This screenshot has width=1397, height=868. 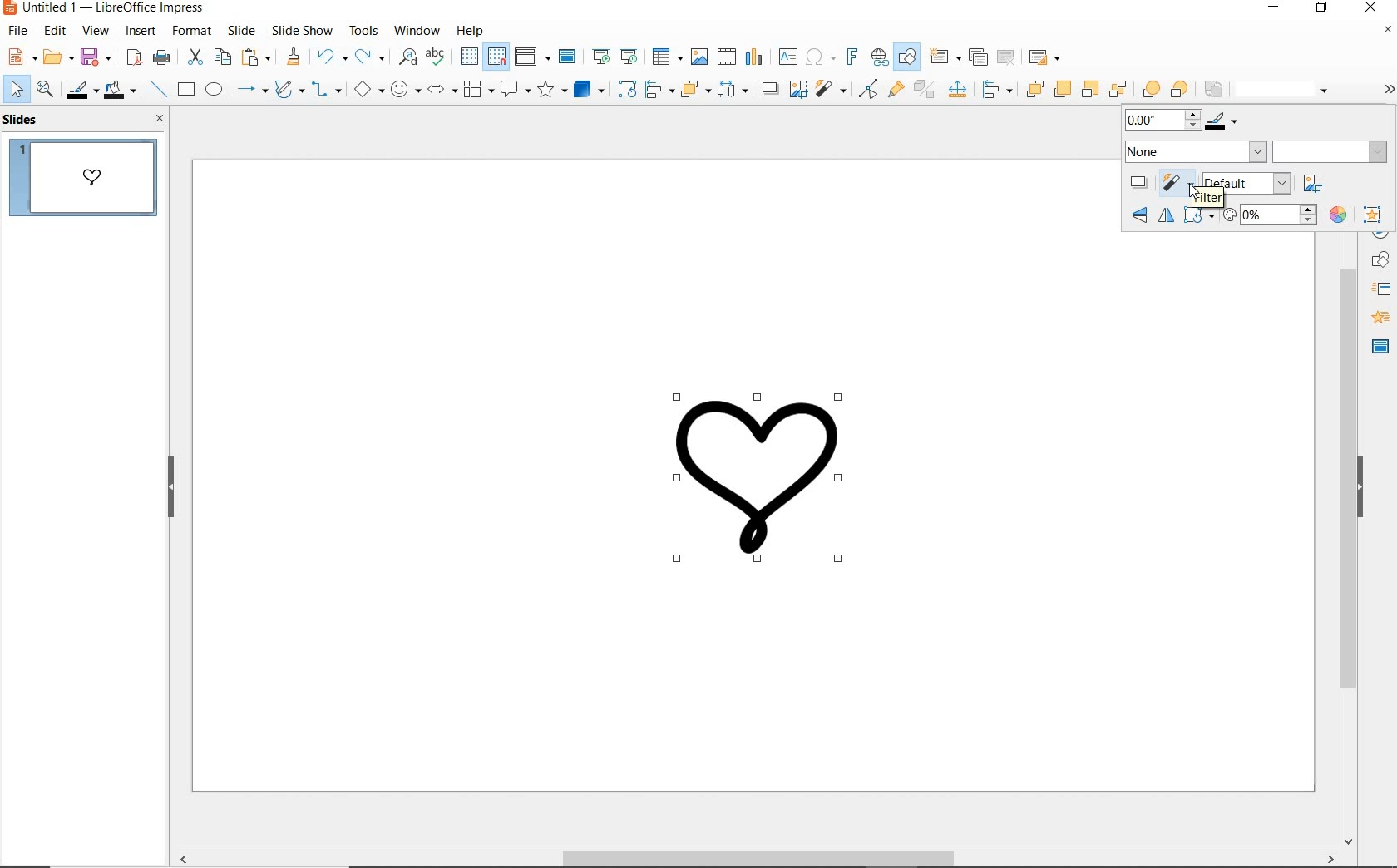 I want to click on filter, so click(x=1177, y=184).